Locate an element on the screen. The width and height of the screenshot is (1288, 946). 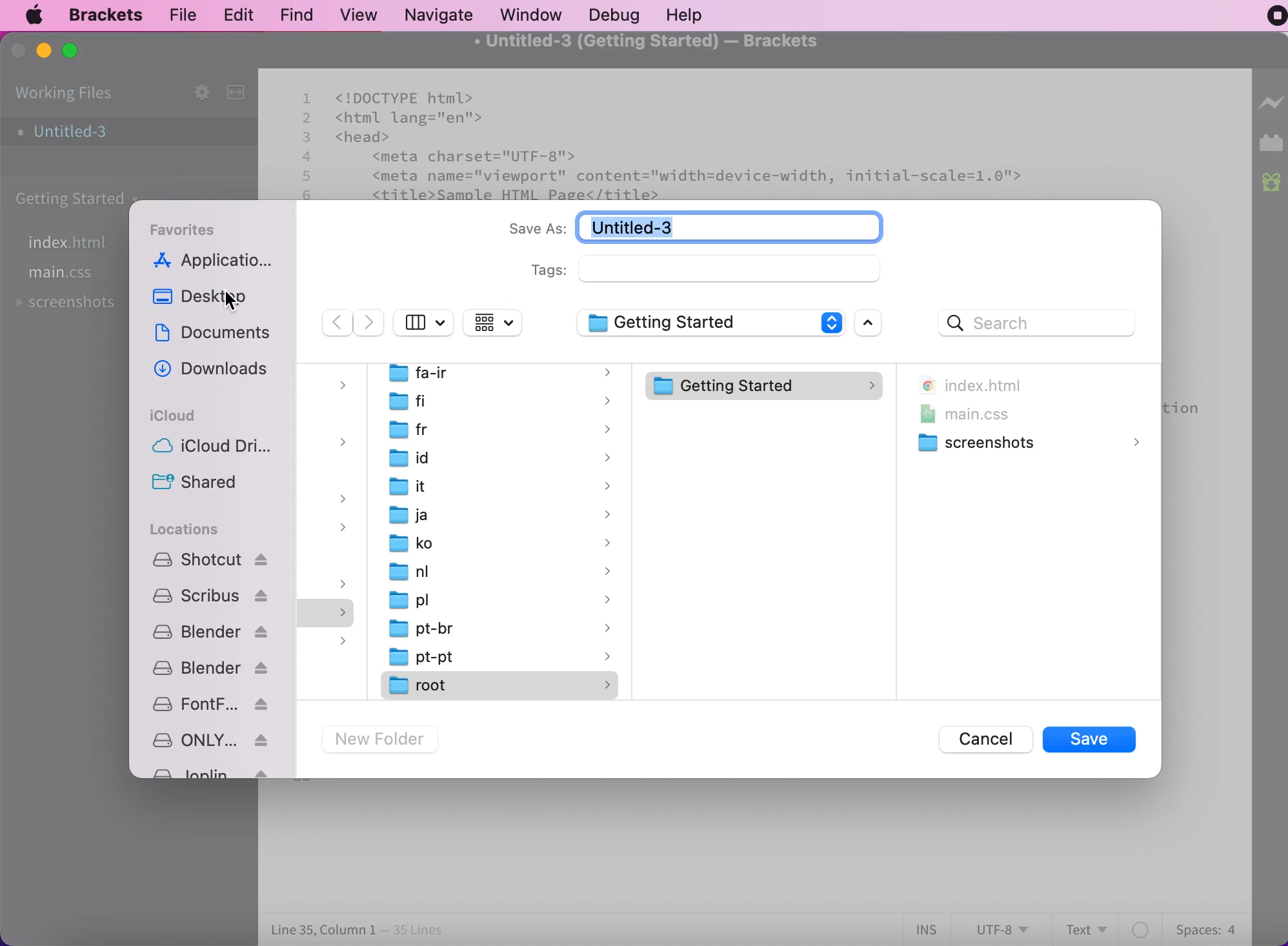
save is located at coordinates (1093, 741).